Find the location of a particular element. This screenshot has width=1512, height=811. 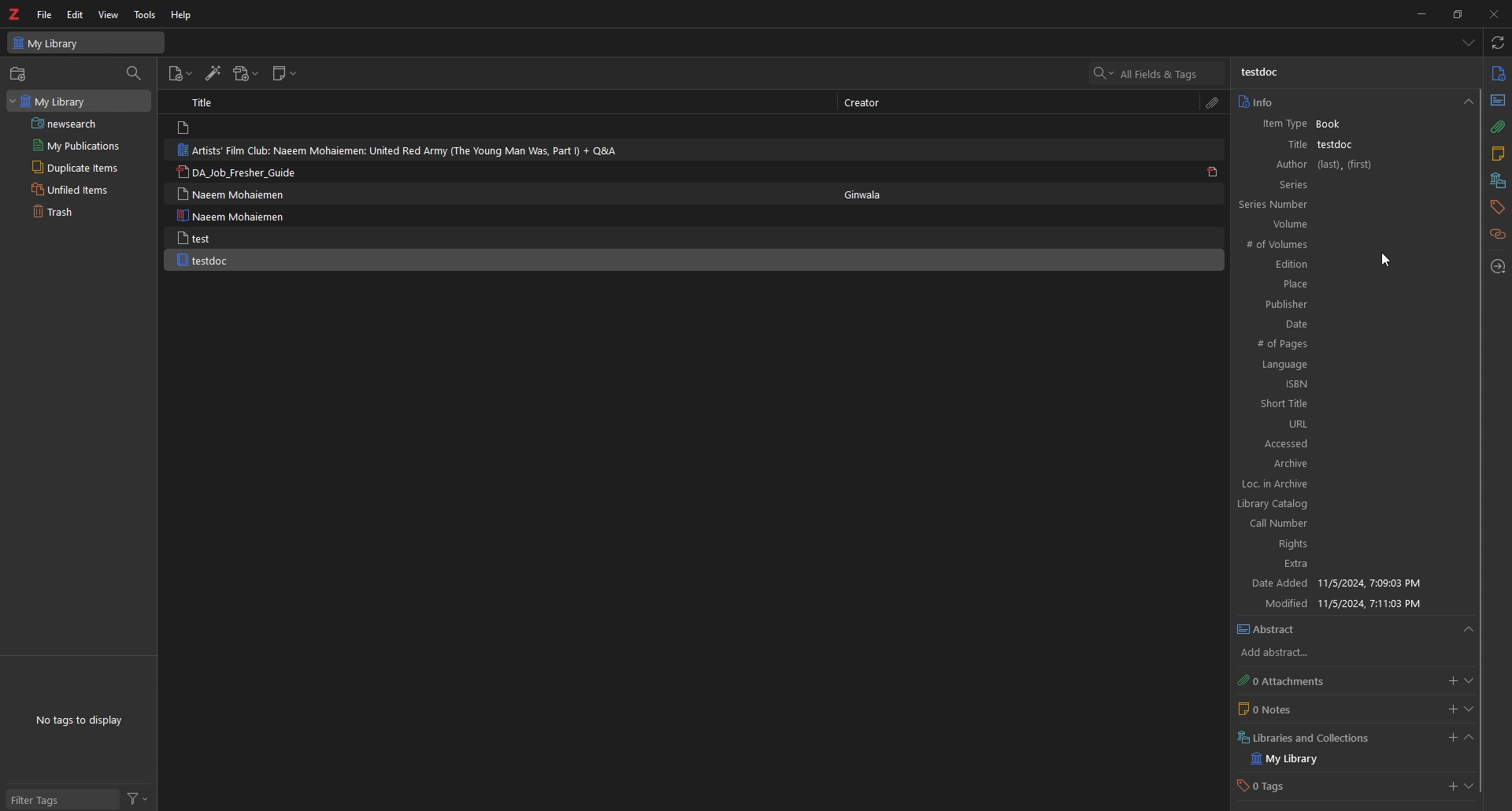

Libraries and Collections is located at coordinates (1321, 737).